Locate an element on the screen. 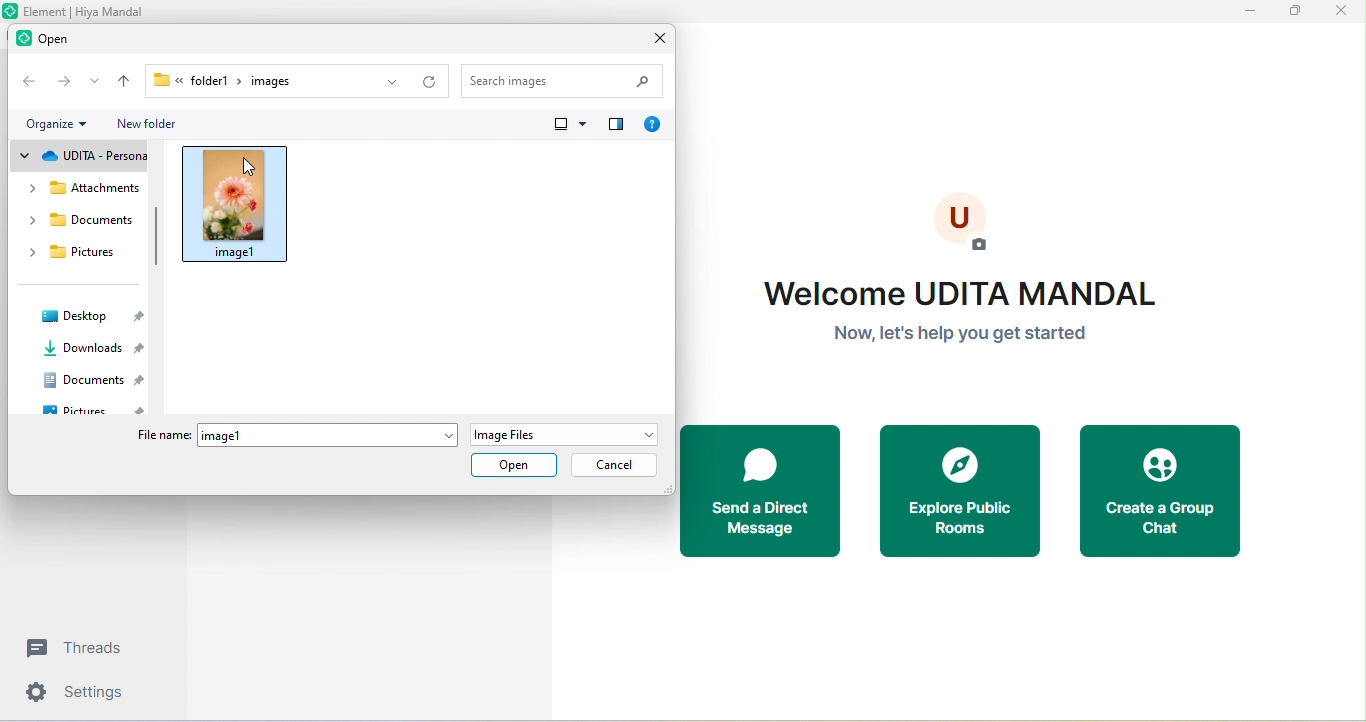 Image resolution: width=1366 pixels, height=722 pixels. maximize is located at coordinates (1294, 12).